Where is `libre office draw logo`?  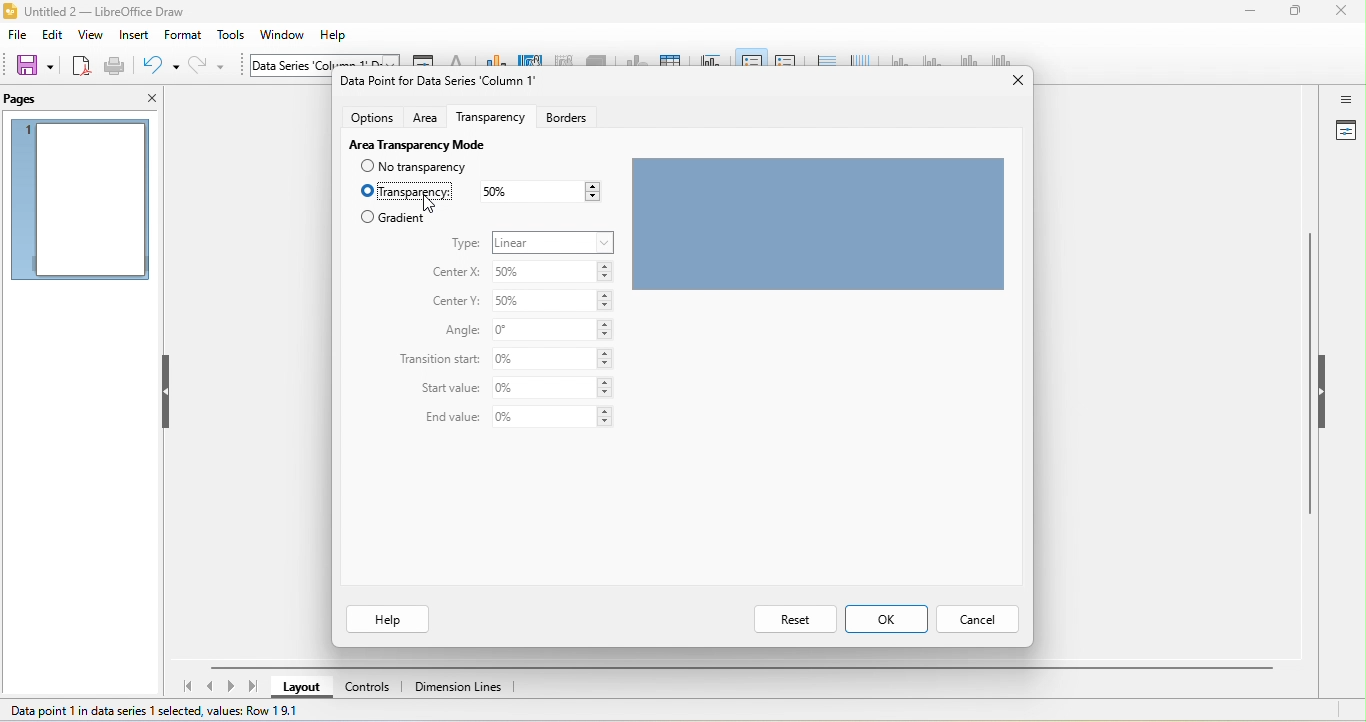
libre office draw logo is located at coordinates (9, 11).